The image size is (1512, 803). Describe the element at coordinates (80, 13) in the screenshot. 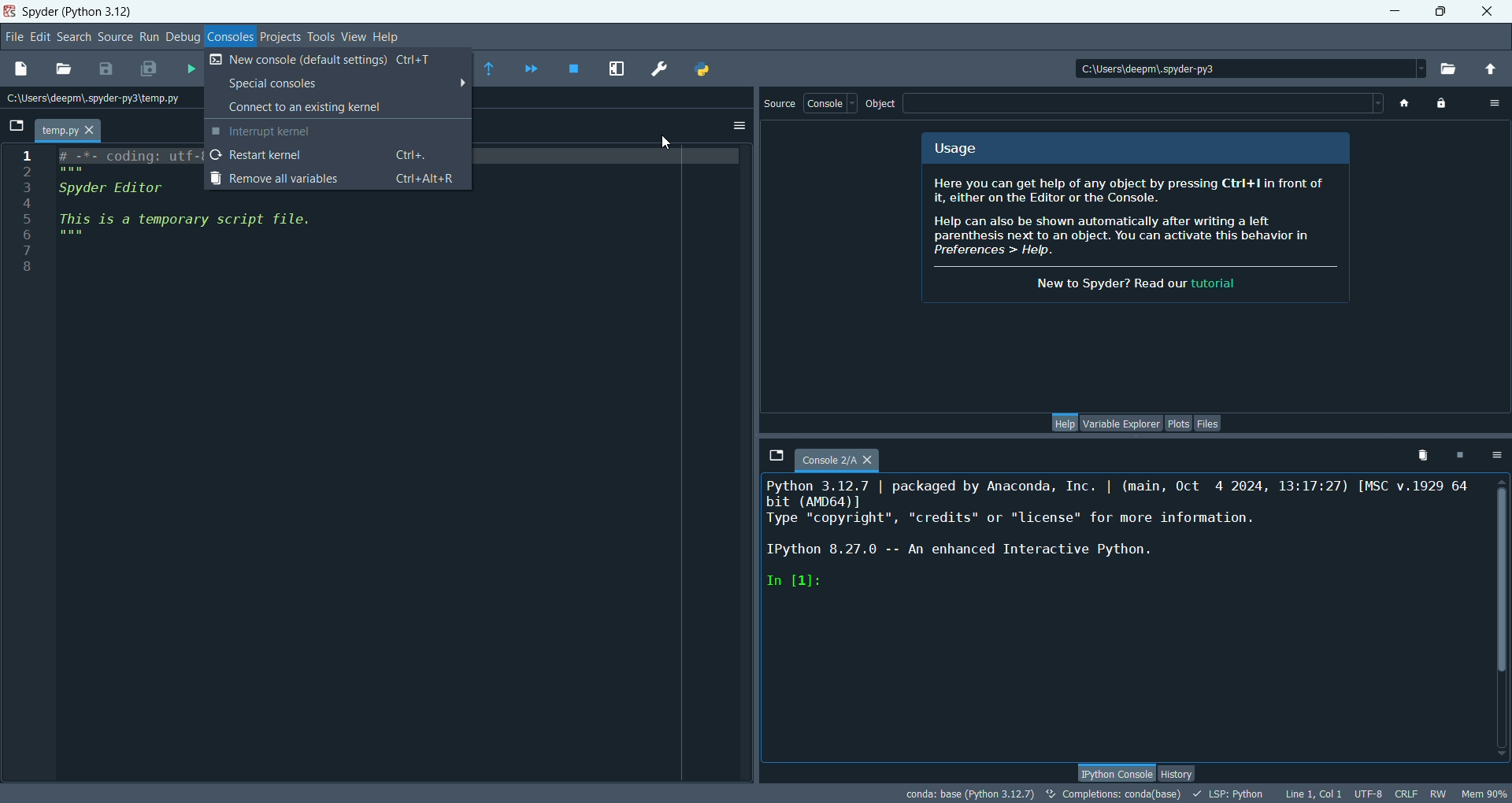

I see `spyder` at that location.